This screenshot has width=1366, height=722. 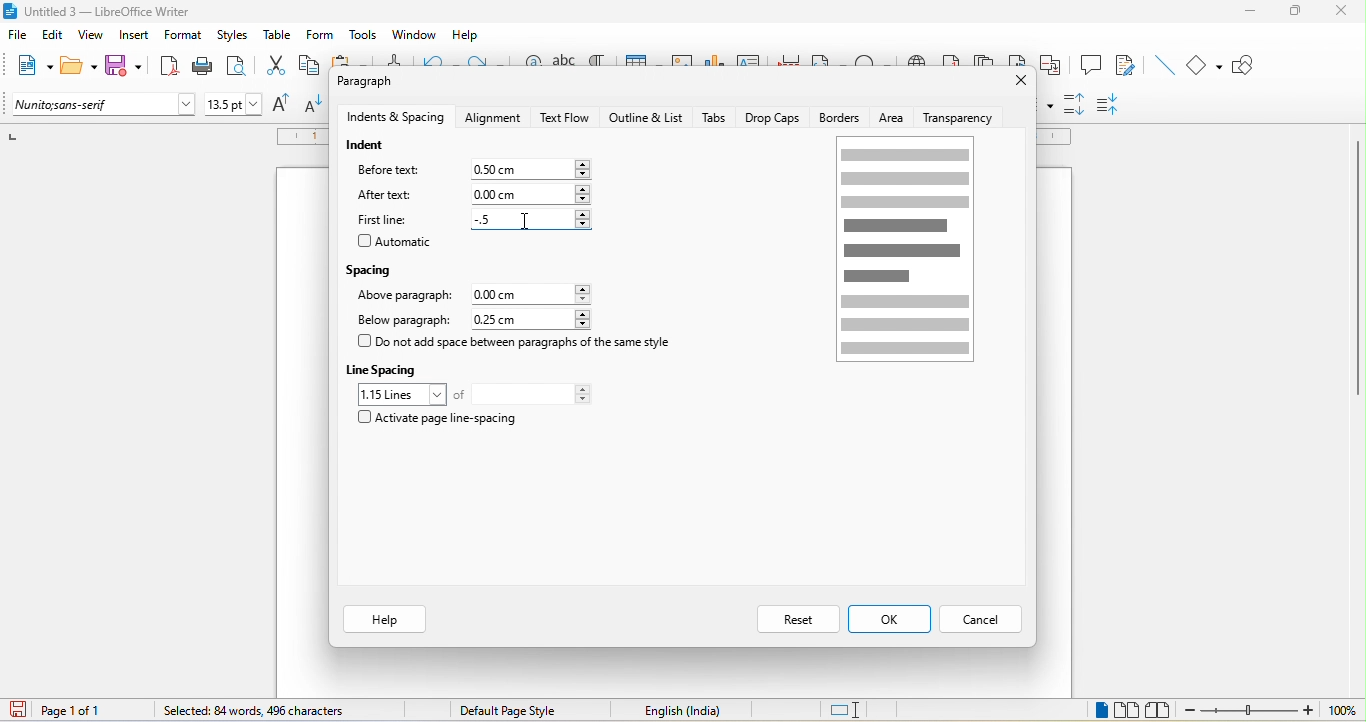 What do you see at coordinates (386, 219) in the screenshot?
I see `first line` at bounding box center [386, 219].